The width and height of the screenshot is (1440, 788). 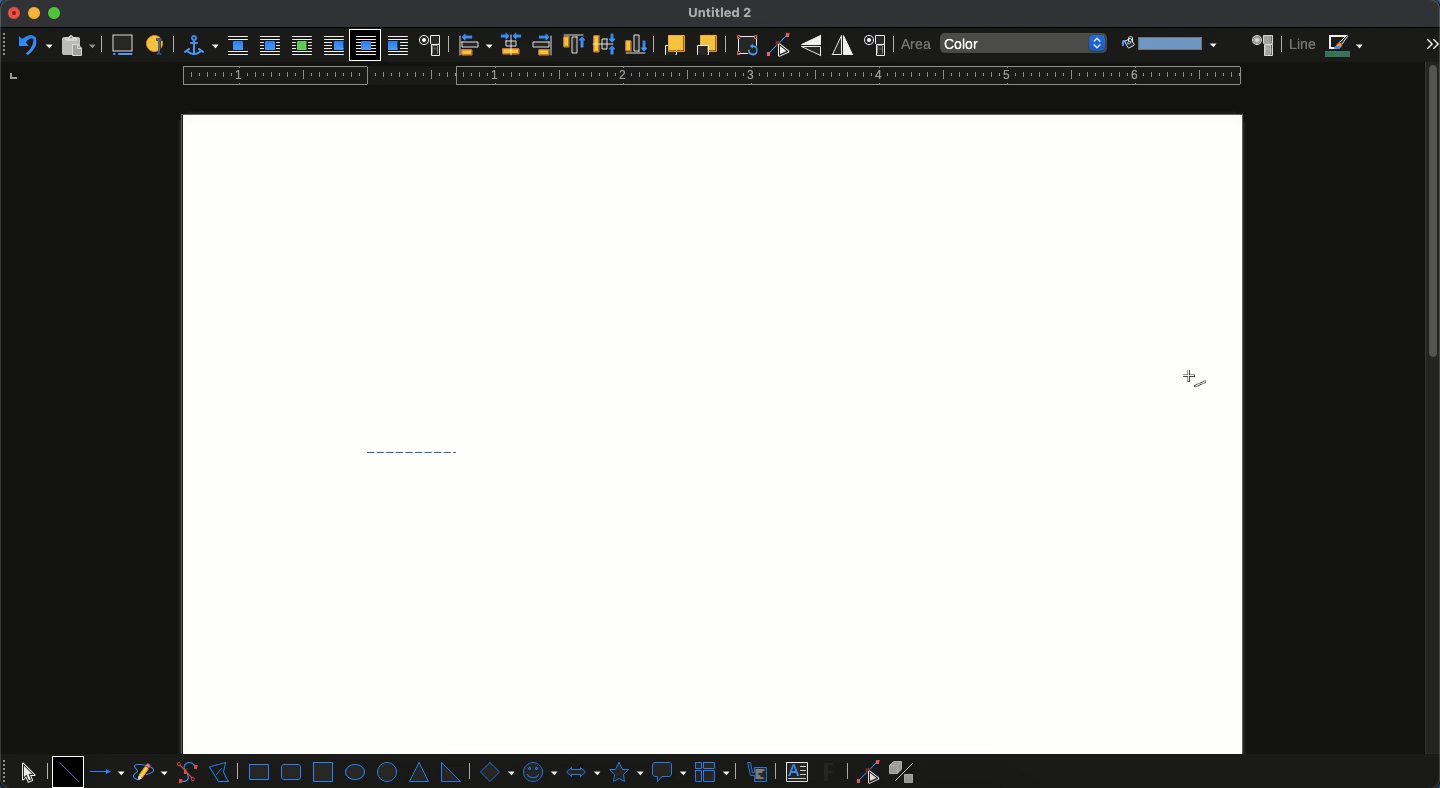 What do you see at coordinates (797, 772) in the screenshot?
I see `text box` at bounding box center [797, 772].